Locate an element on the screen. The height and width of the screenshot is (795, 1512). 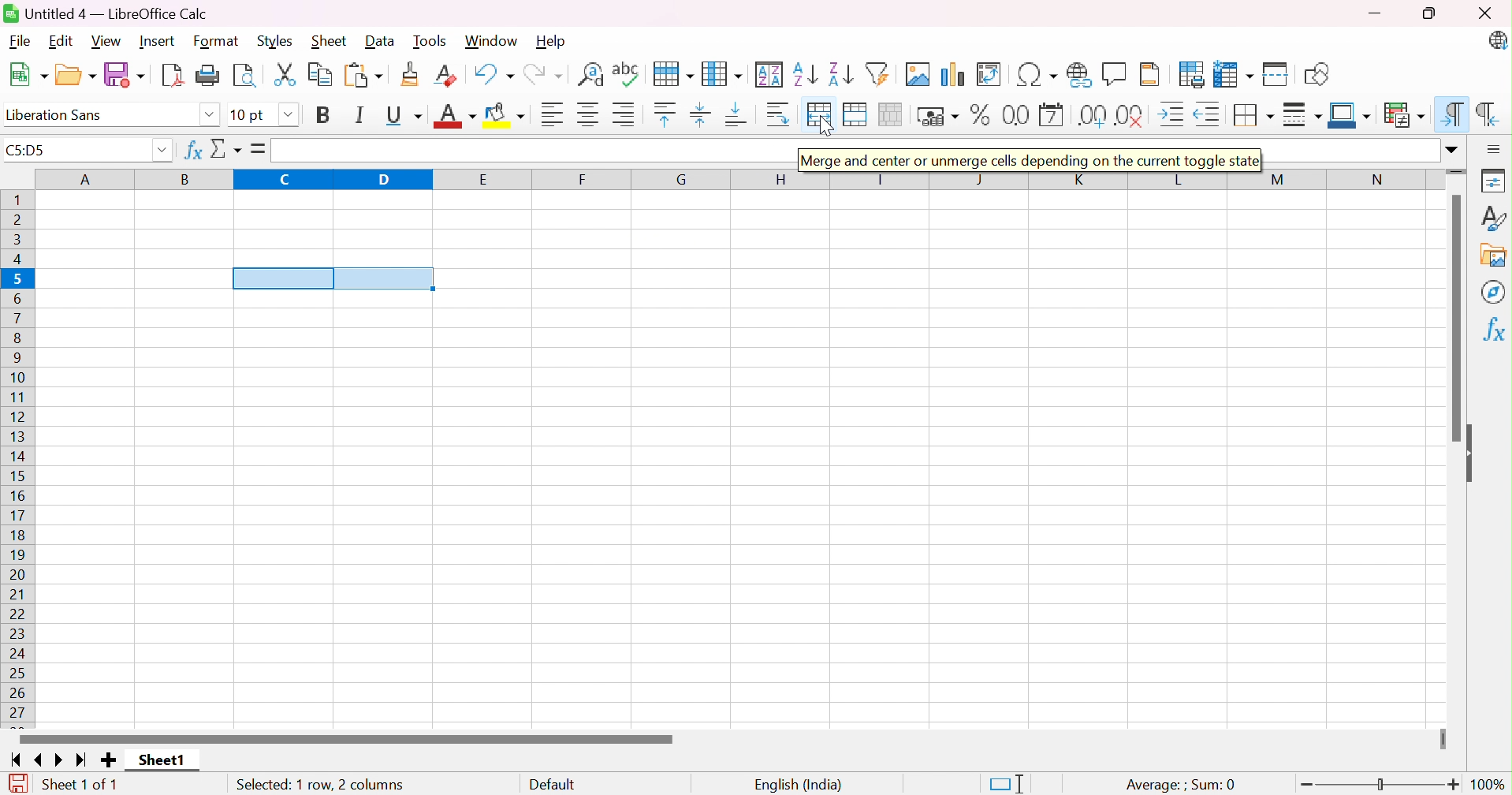
Border Color is located at coordinates (1349, 114).